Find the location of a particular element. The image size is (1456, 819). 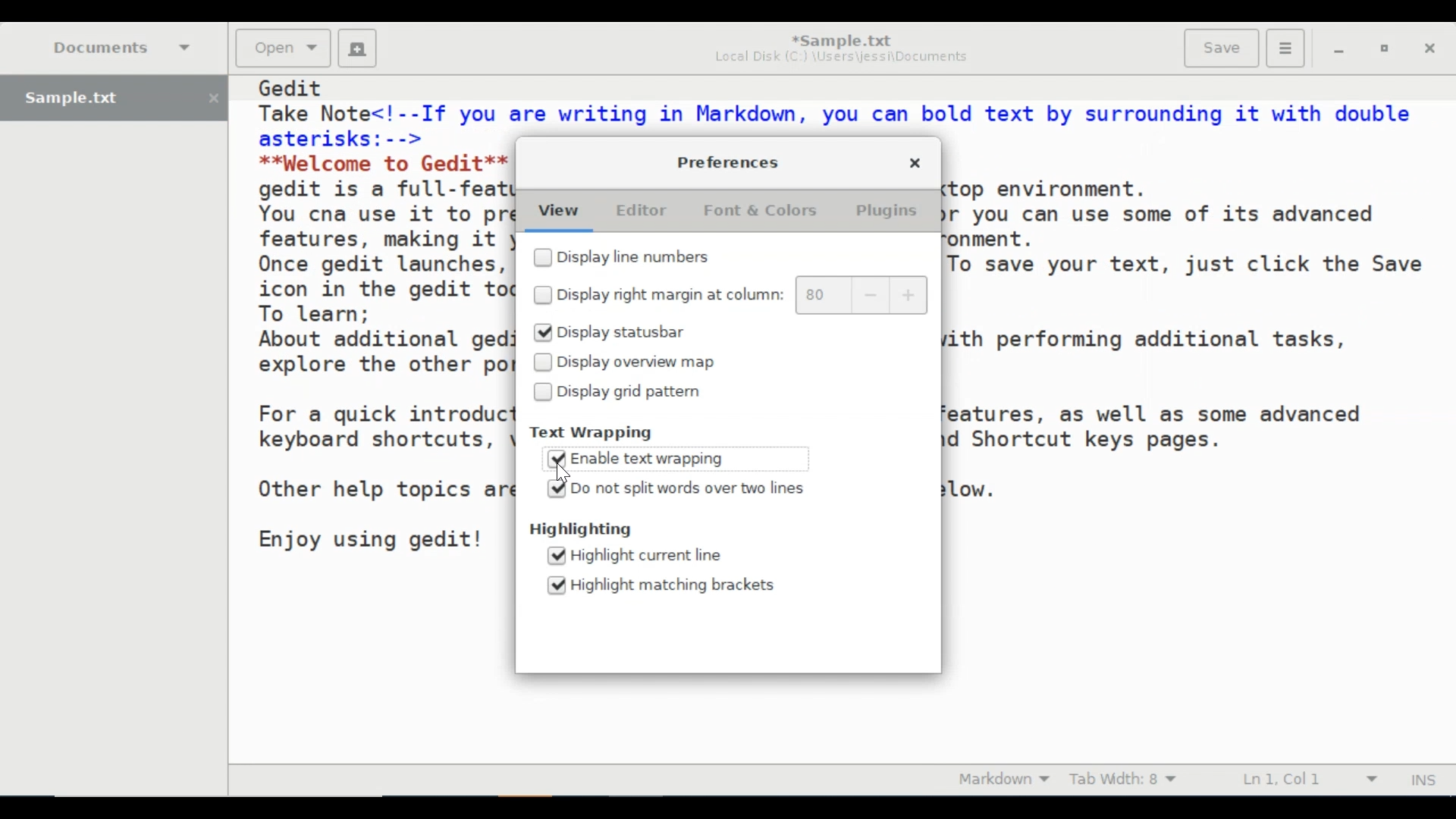

(un)select Display margin at column  is located at coordinates (658, 294).